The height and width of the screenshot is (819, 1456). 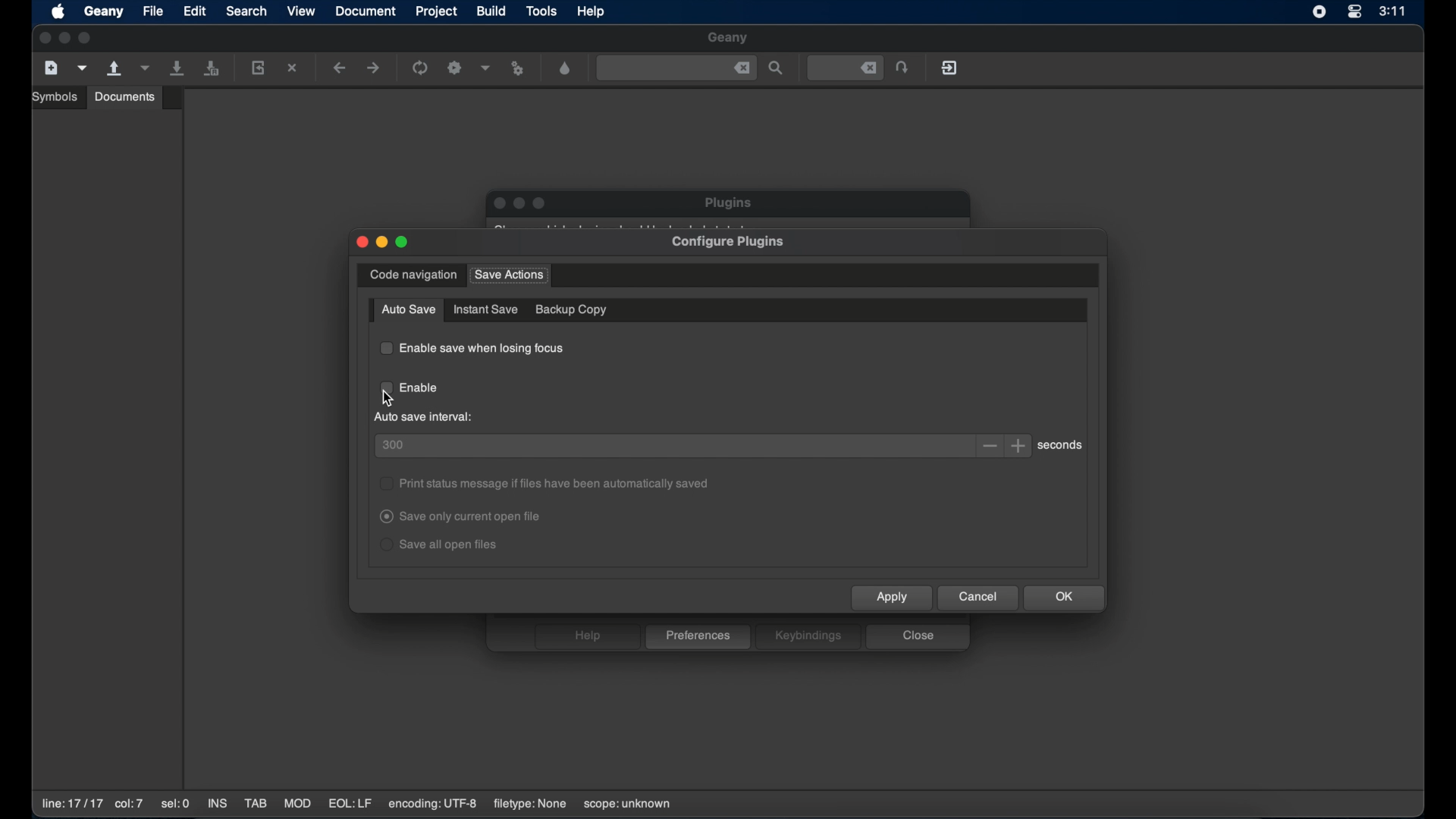 What do you see at coordinates (438, 11) in the screenshot?
I see `project` at bounding box center [438, 11].